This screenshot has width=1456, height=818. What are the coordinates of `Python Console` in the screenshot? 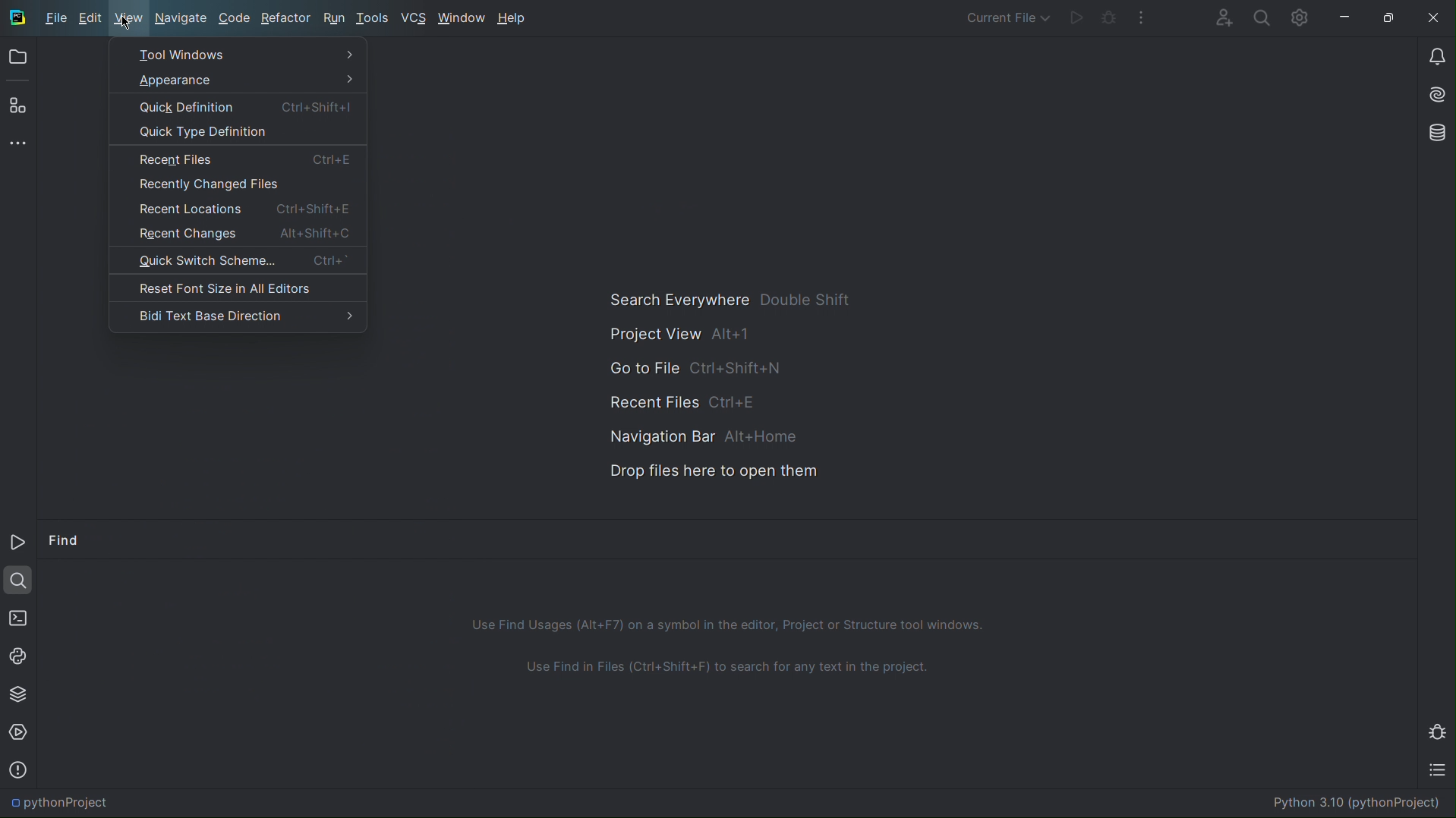 It's located at (19, 654).